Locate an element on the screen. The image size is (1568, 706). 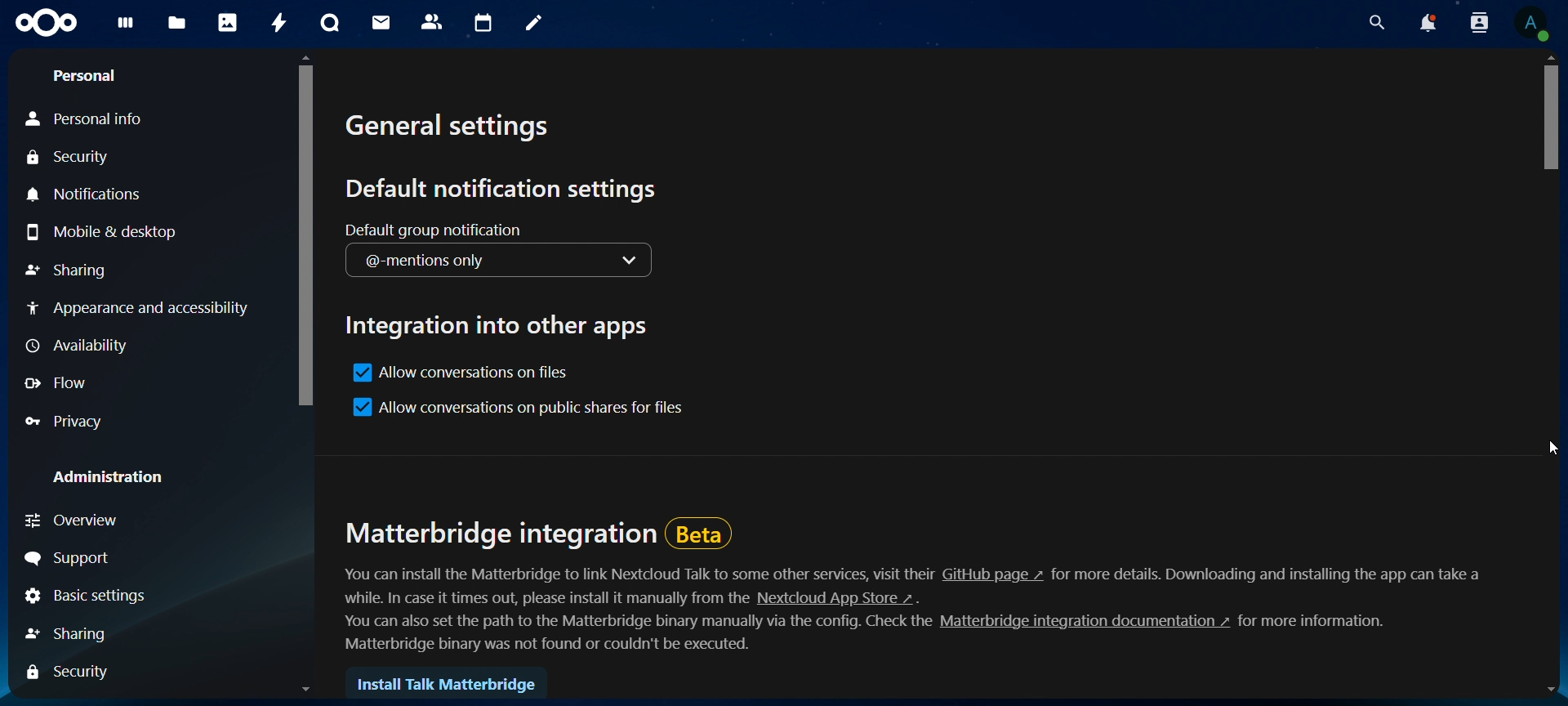
vertical scroll bar is located at coordinates (301, 238).